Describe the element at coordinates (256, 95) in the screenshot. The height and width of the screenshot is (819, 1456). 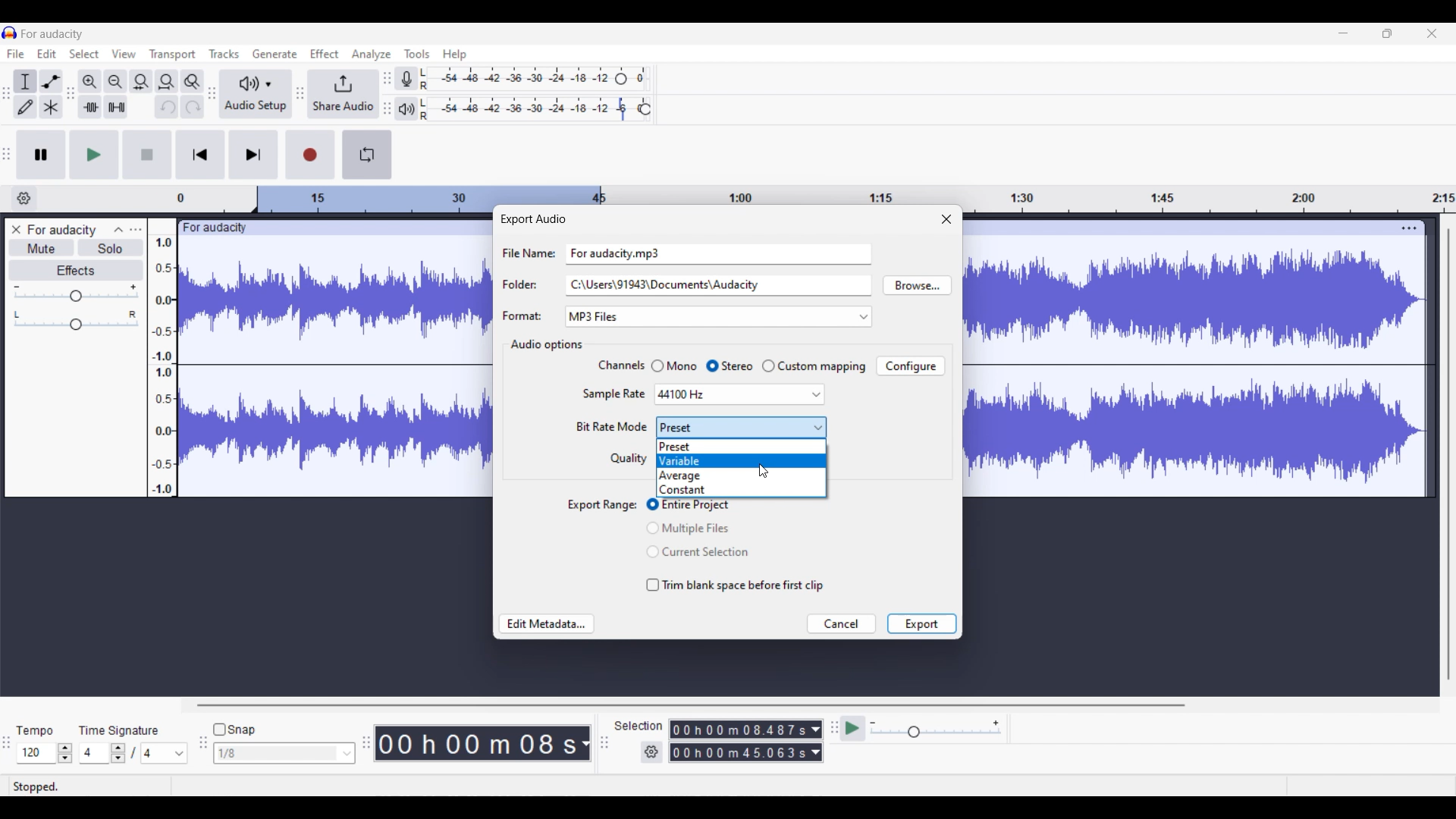
I see `Audio setup` at that location.